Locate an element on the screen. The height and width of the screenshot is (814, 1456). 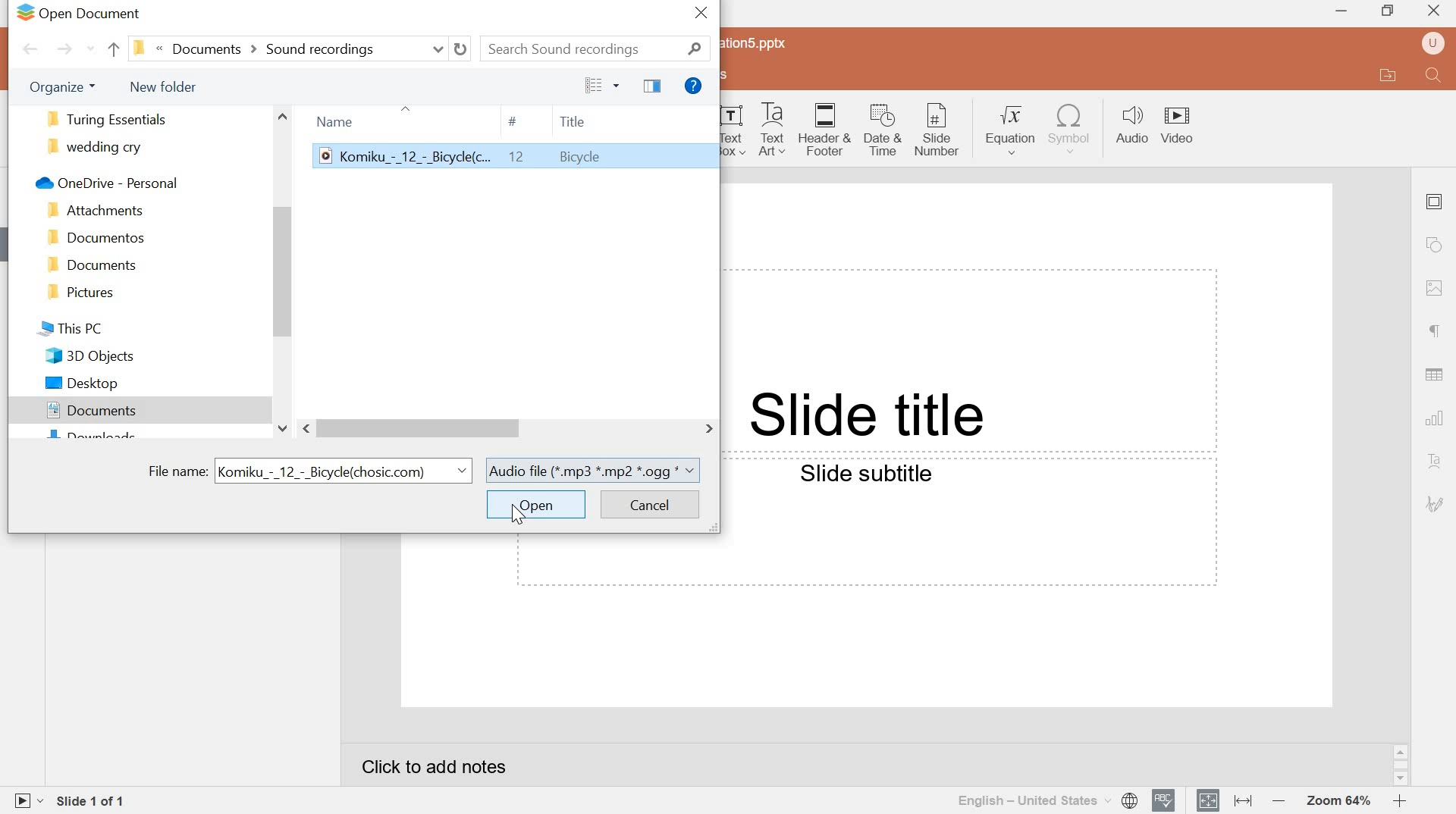
select document language is located at coordinates (1047, 800).